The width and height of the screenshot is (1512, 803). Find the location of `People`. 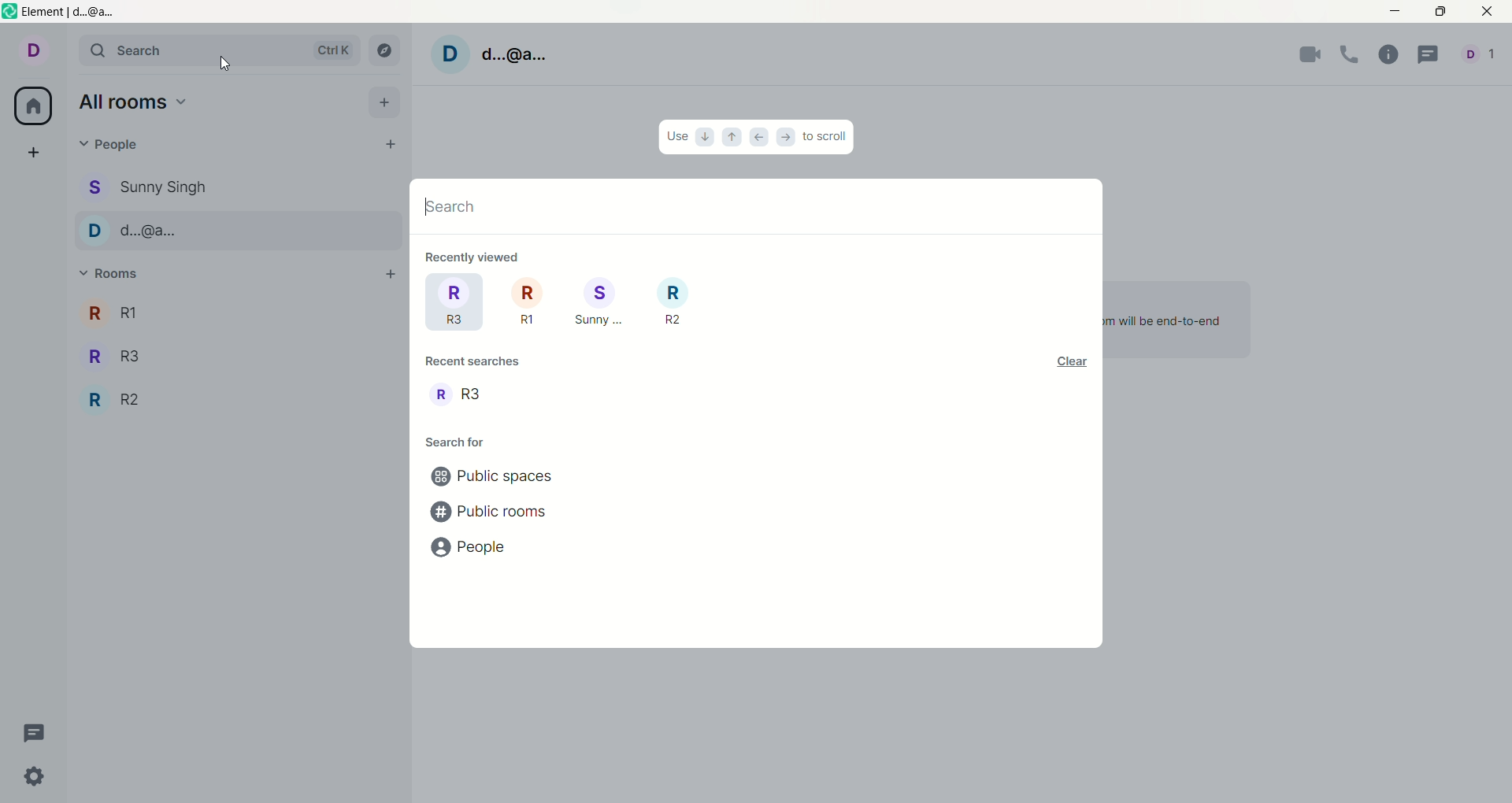

People is located at coordinates (129, 233).